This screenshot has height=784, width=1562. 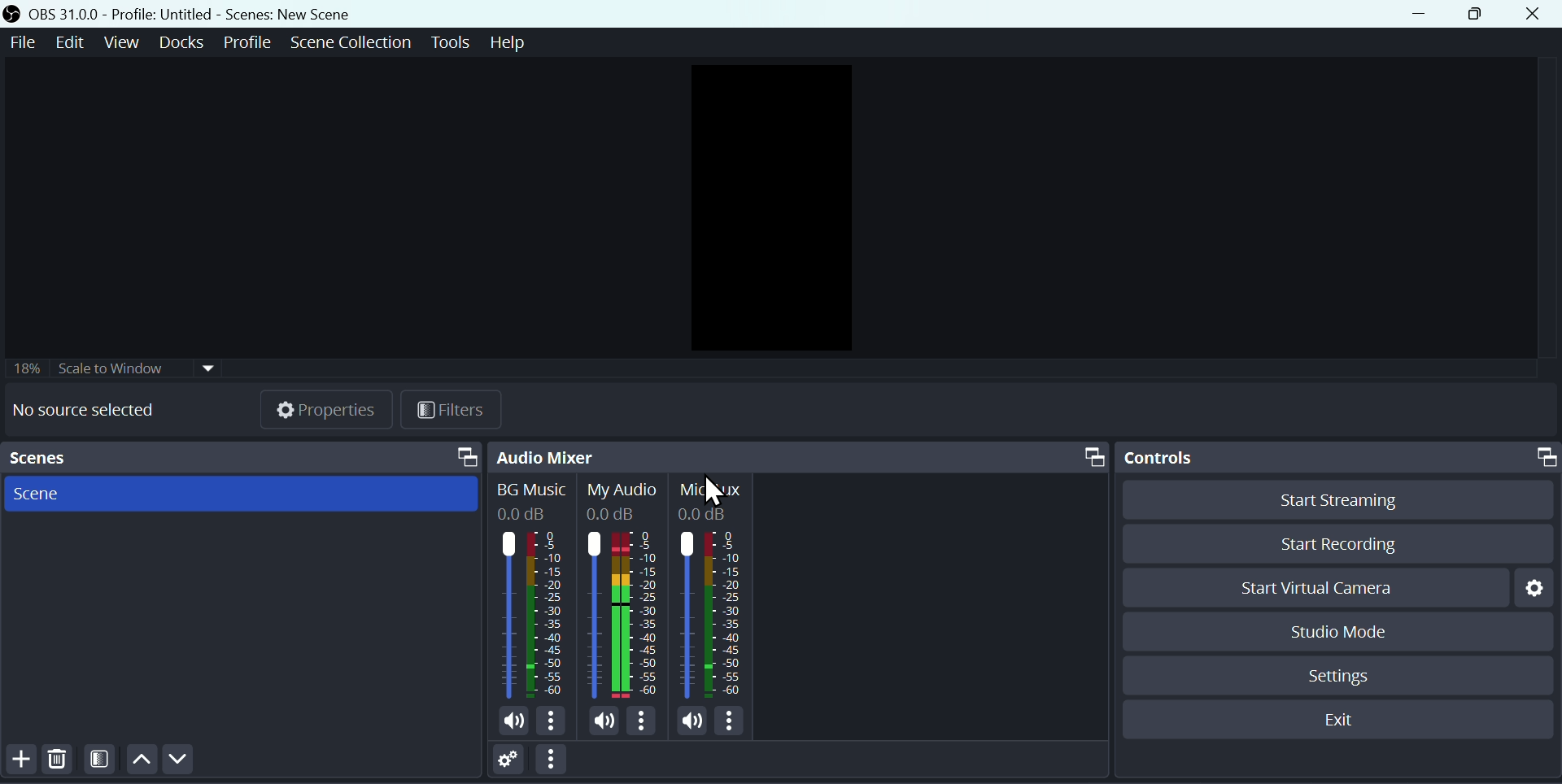 I want to click on options, so click(x=552, y=760).